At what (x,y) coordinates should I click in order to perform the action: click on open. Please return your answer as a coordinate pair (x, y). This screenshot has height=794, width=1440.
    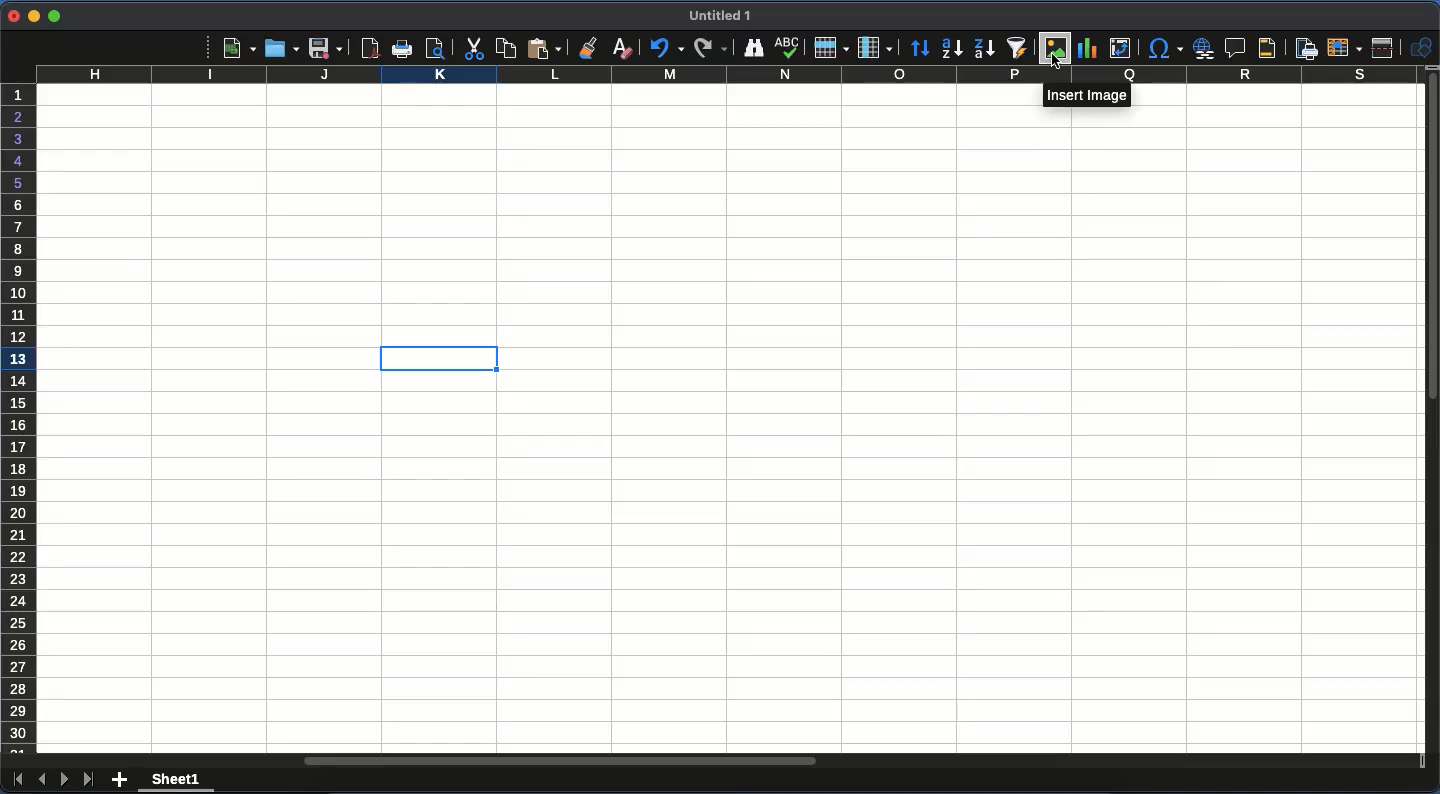
    Looking at the image, I should click on (283, 50).